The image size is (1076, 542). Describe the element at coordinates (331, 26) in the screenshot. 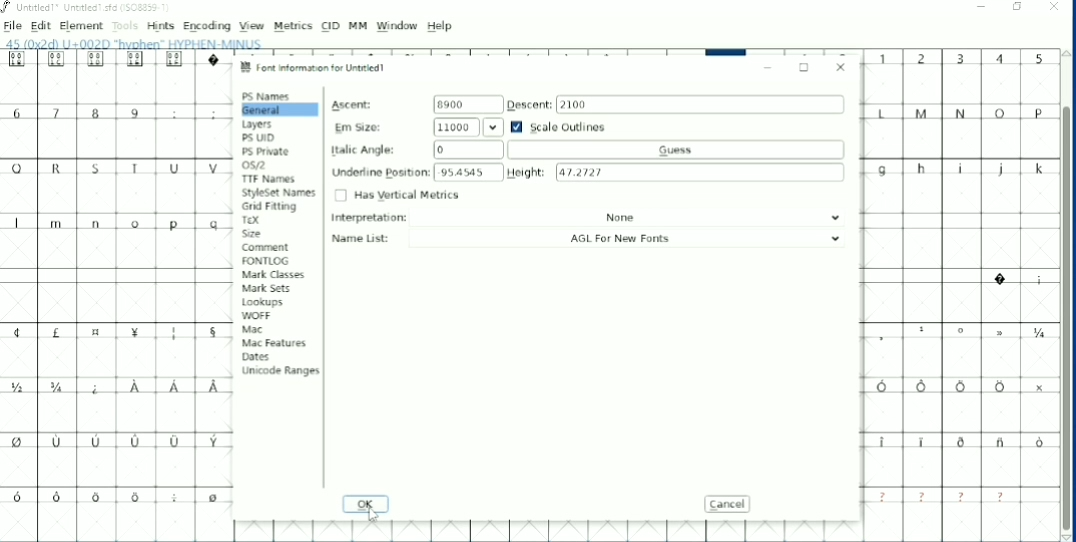

I see `CID` at that location.